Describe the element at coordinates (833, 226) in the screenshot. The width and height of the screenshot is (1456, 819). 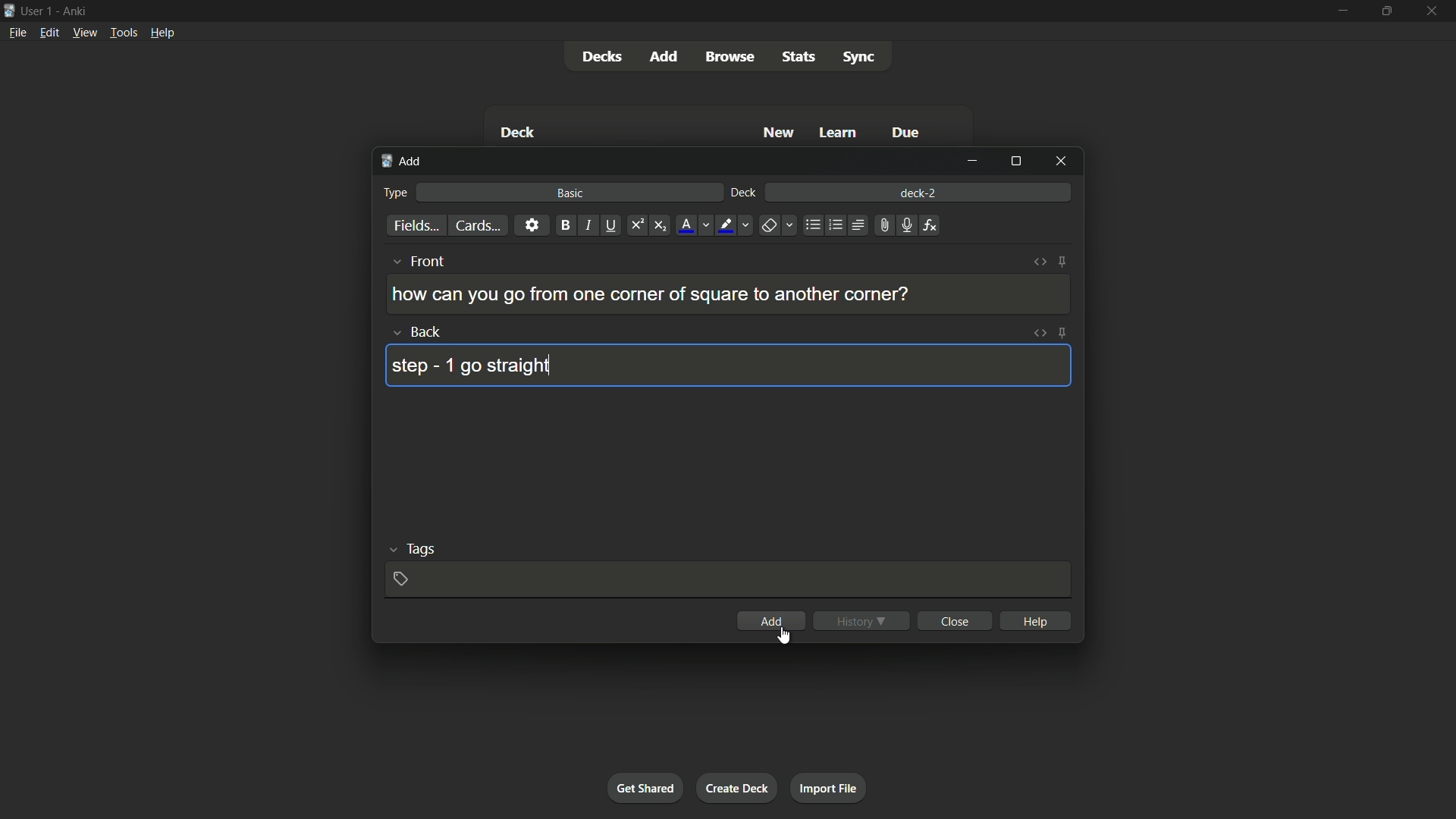
I see `ordered list` at that location.